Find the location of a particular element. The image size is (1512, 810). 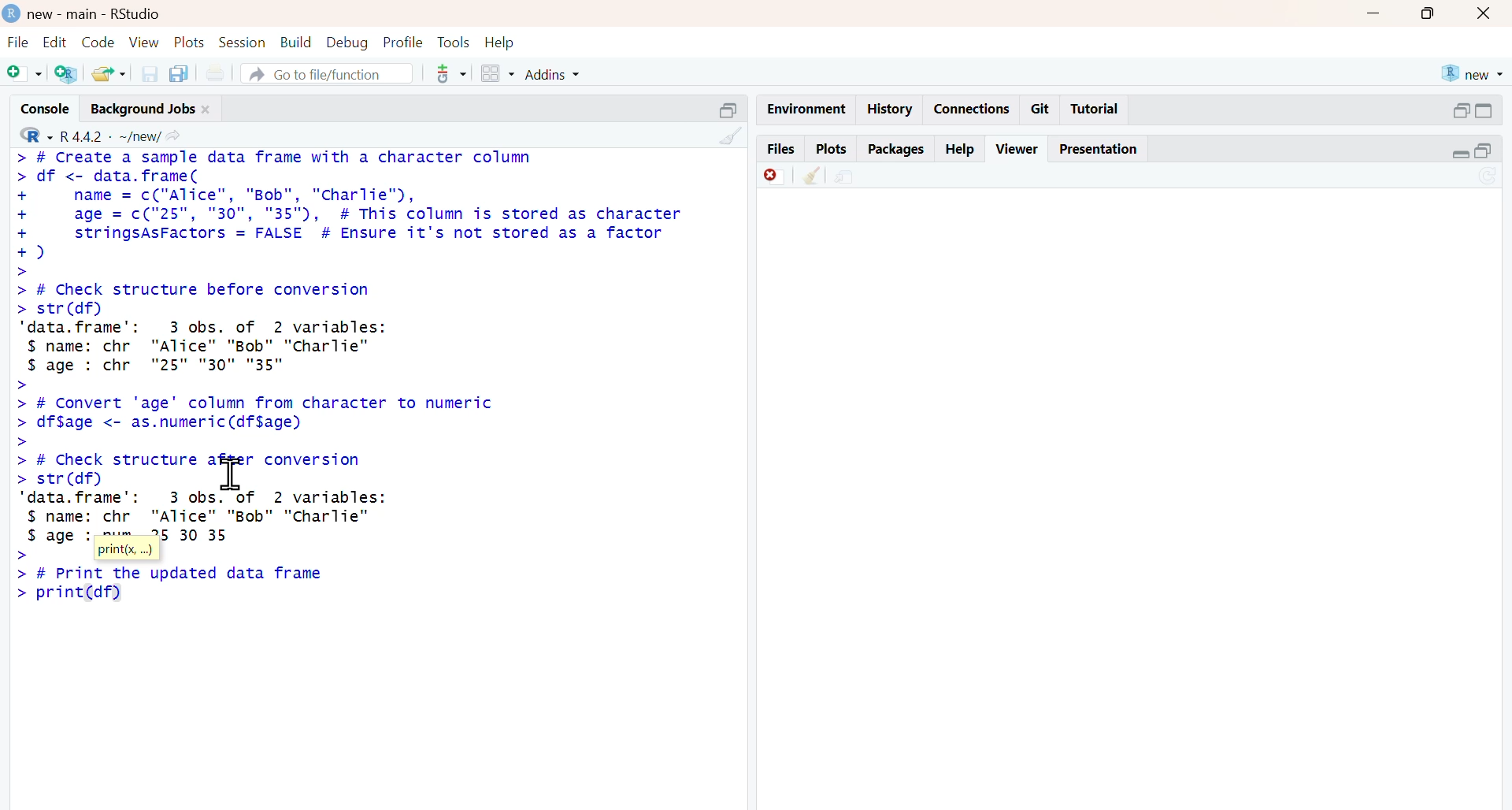

debug is located at coordinates (347, 43).